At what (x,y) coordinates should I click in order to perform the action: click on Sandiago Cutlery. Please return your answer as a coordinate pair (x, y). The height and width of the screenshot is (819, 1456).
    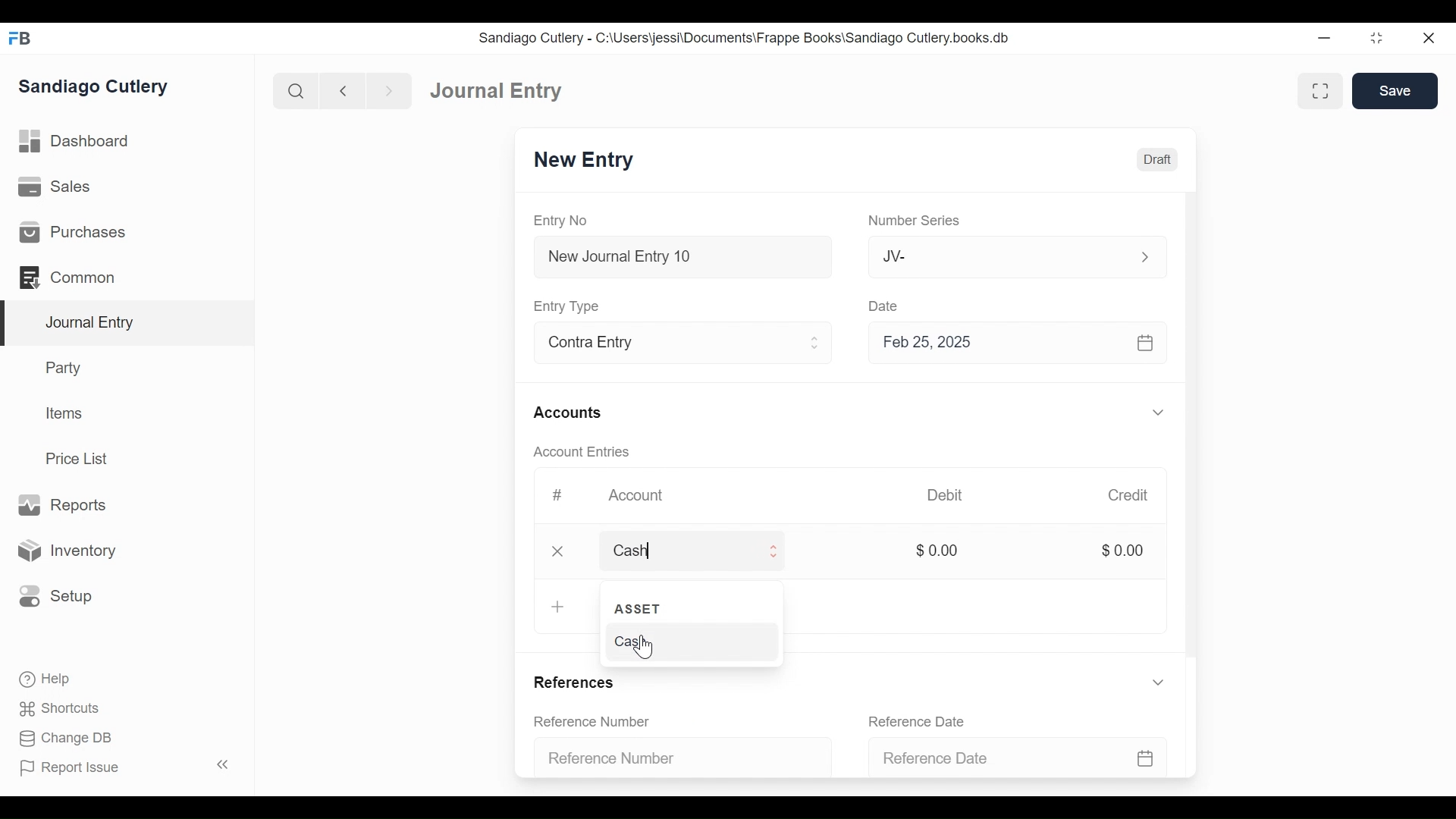
    Looking at the image, I should click on (94, 87).